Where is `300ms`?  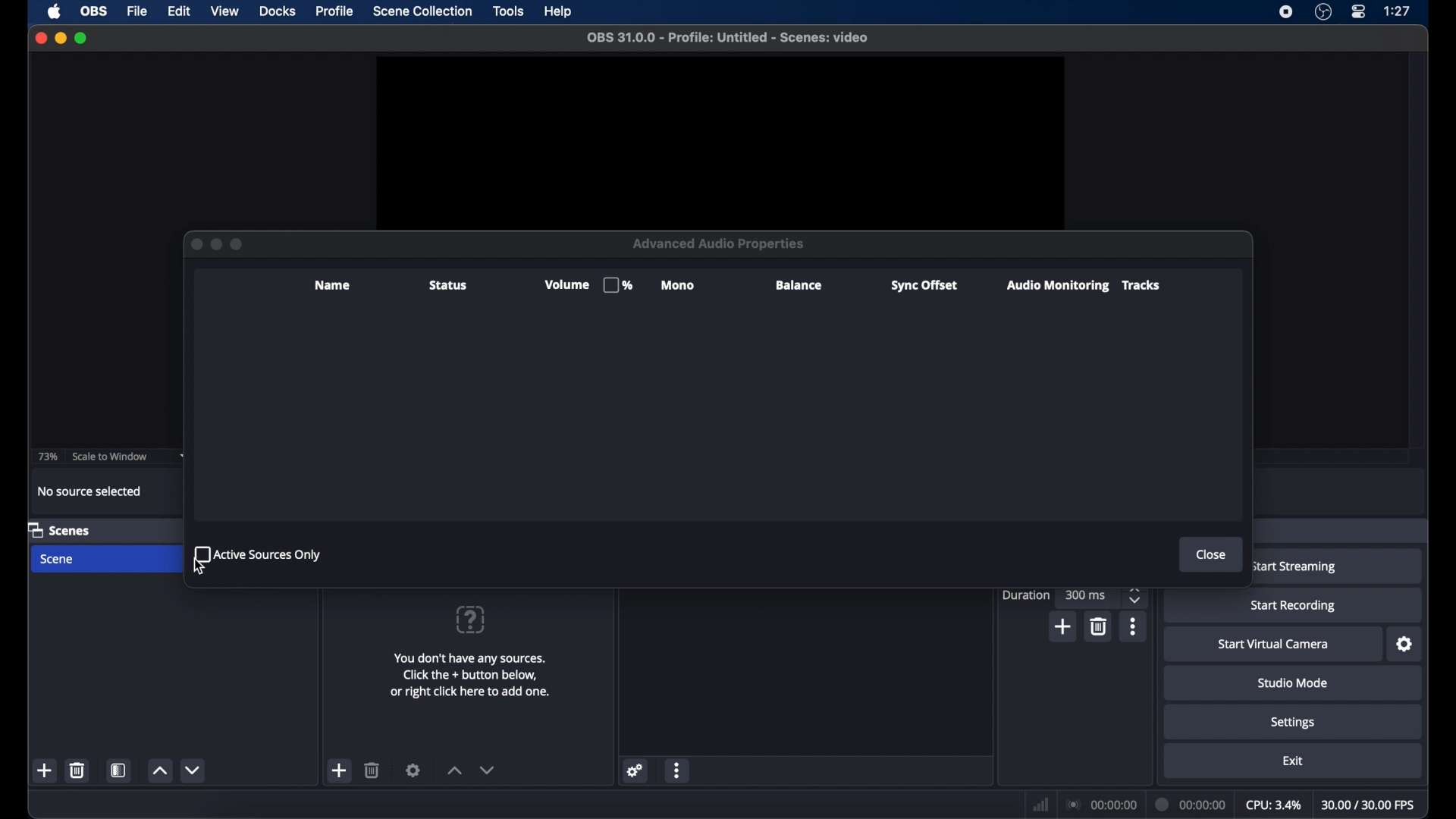
300ms is located at coordinates (1086, 595).